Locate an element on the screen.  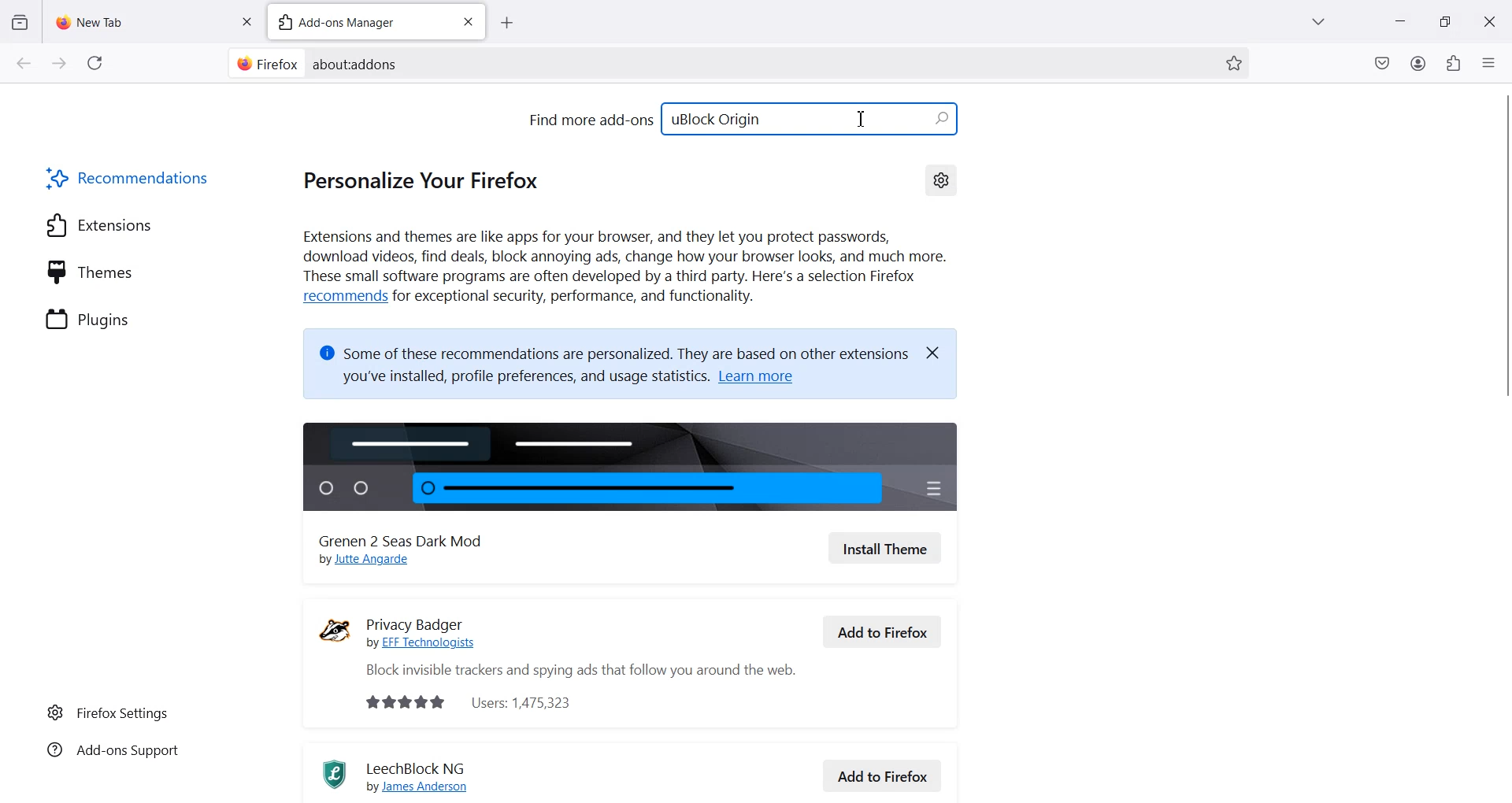
Logo is located at coordinates (335, 630).